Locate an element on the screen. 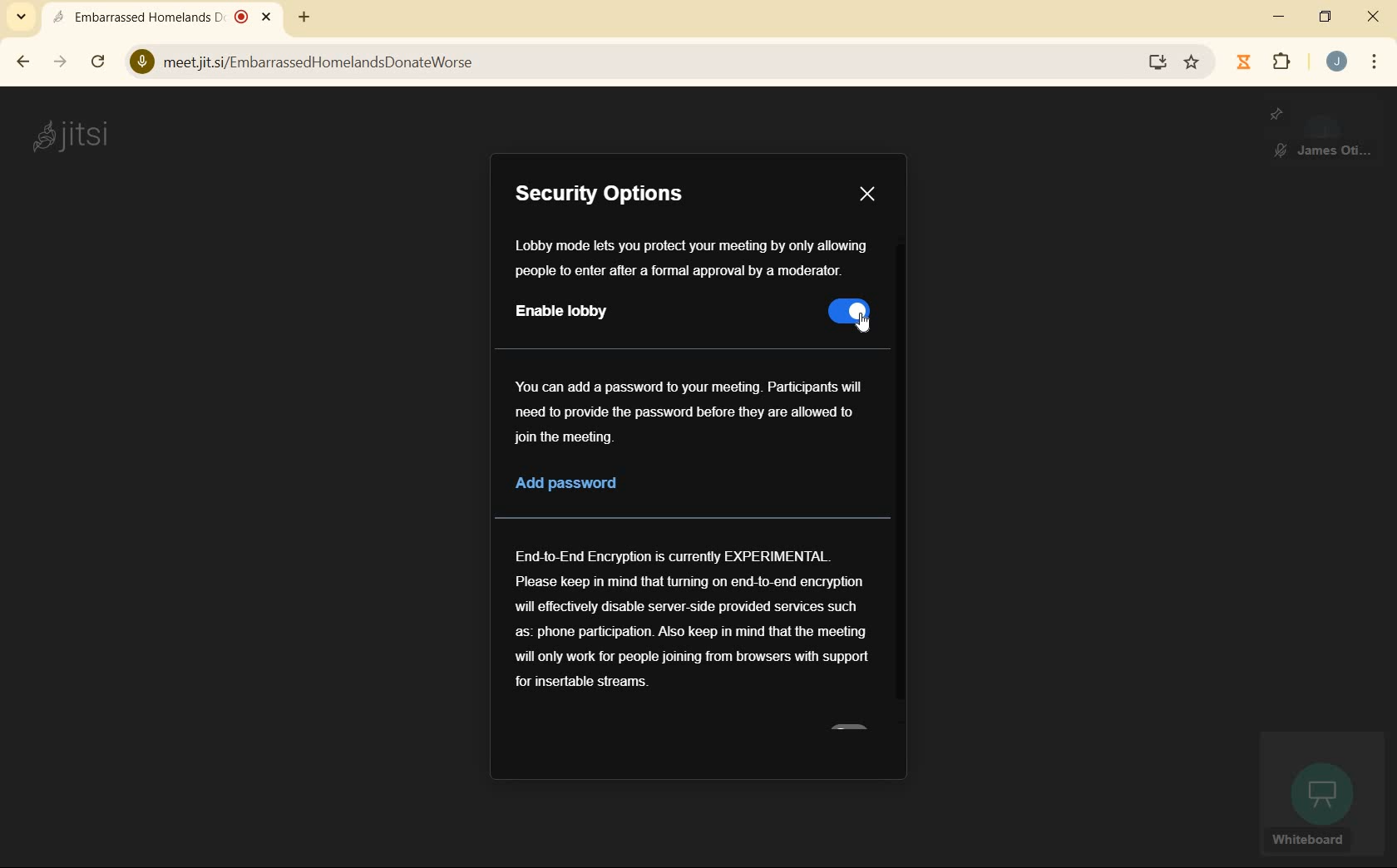 This screenshot has width=1397, height=868. close is located at coordinates (1374, 17).